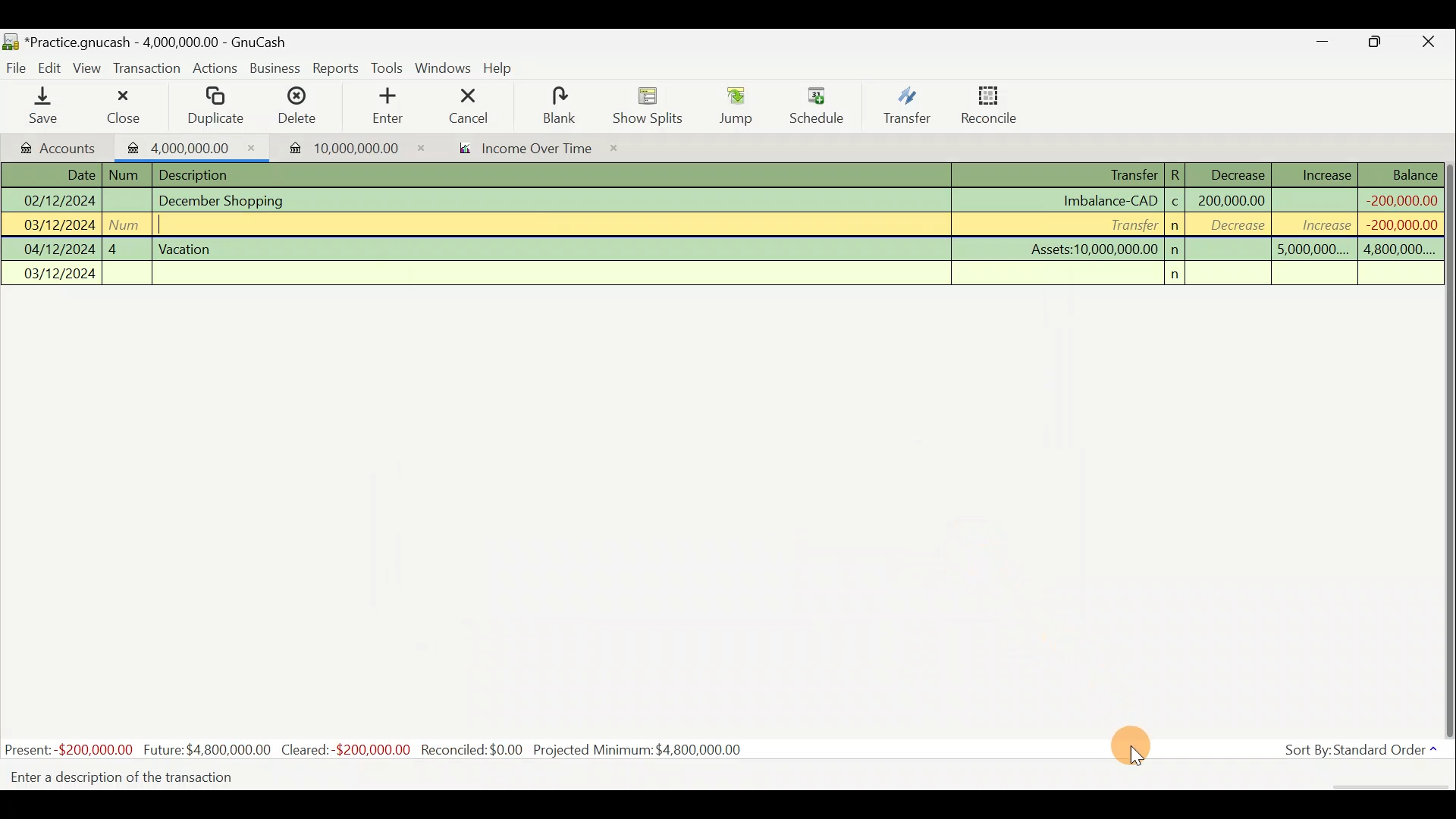 The width and height of the screenshot is (1456, 819). What do you see at coordinates (1180, 174) in the screenshot?
I see `R` at bounding box center [1180, 174].